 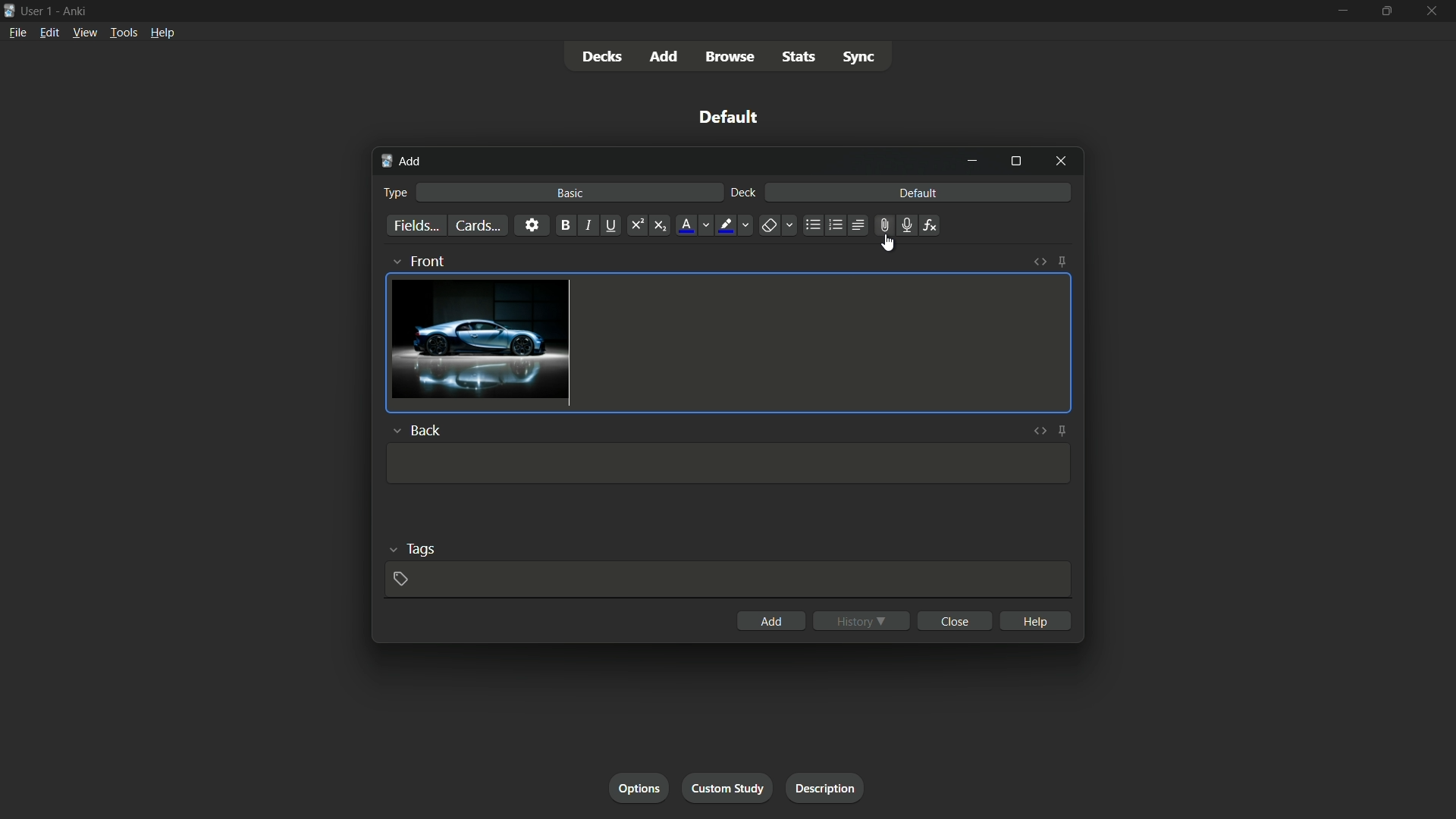 What do you see at coordinates (417, 428) in the screenshot?
I see `back` at bounding box center [417, 428].